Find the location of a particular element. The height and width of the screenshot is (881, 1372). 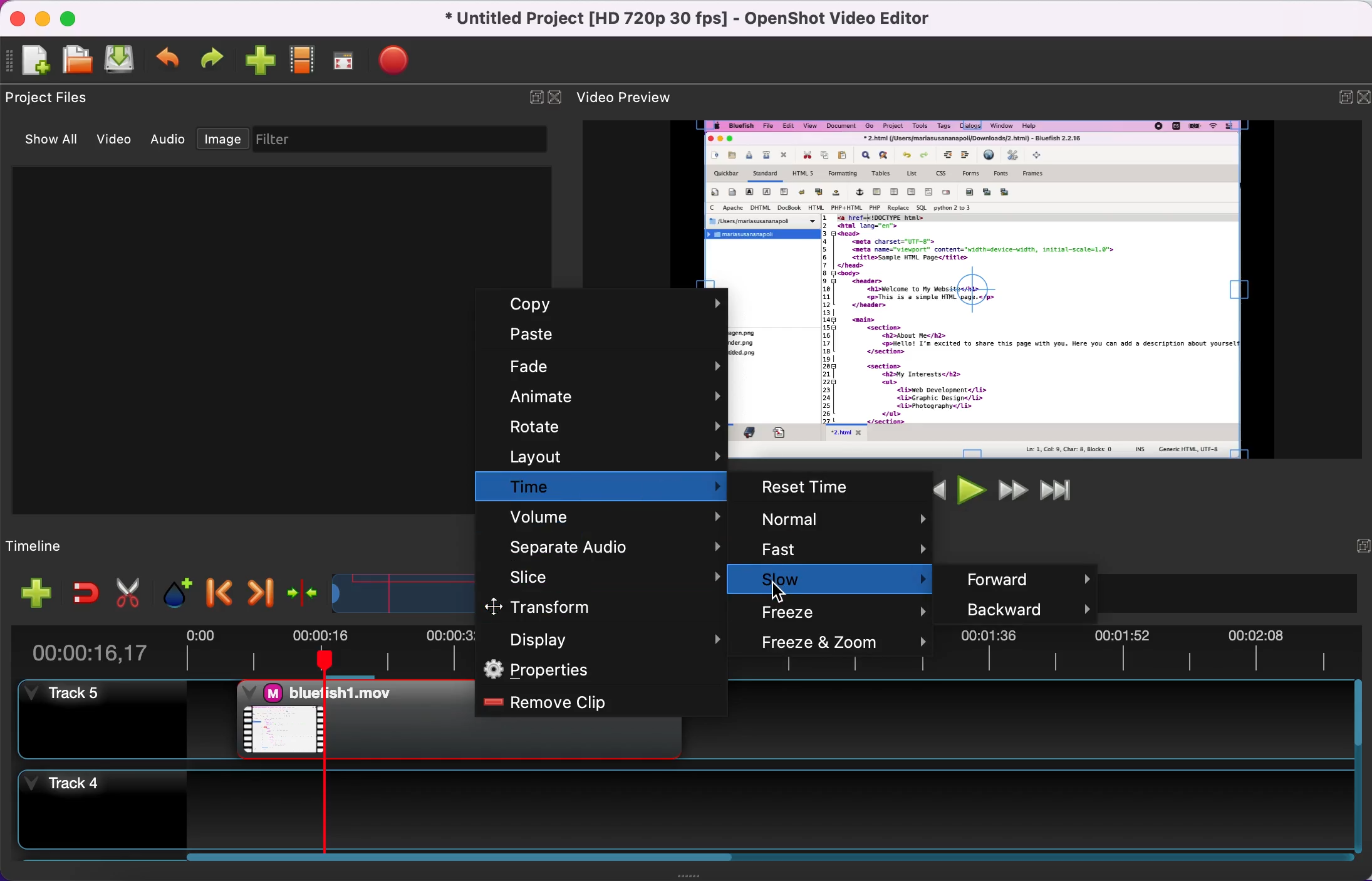

volume is located at coordinates (603, 516).